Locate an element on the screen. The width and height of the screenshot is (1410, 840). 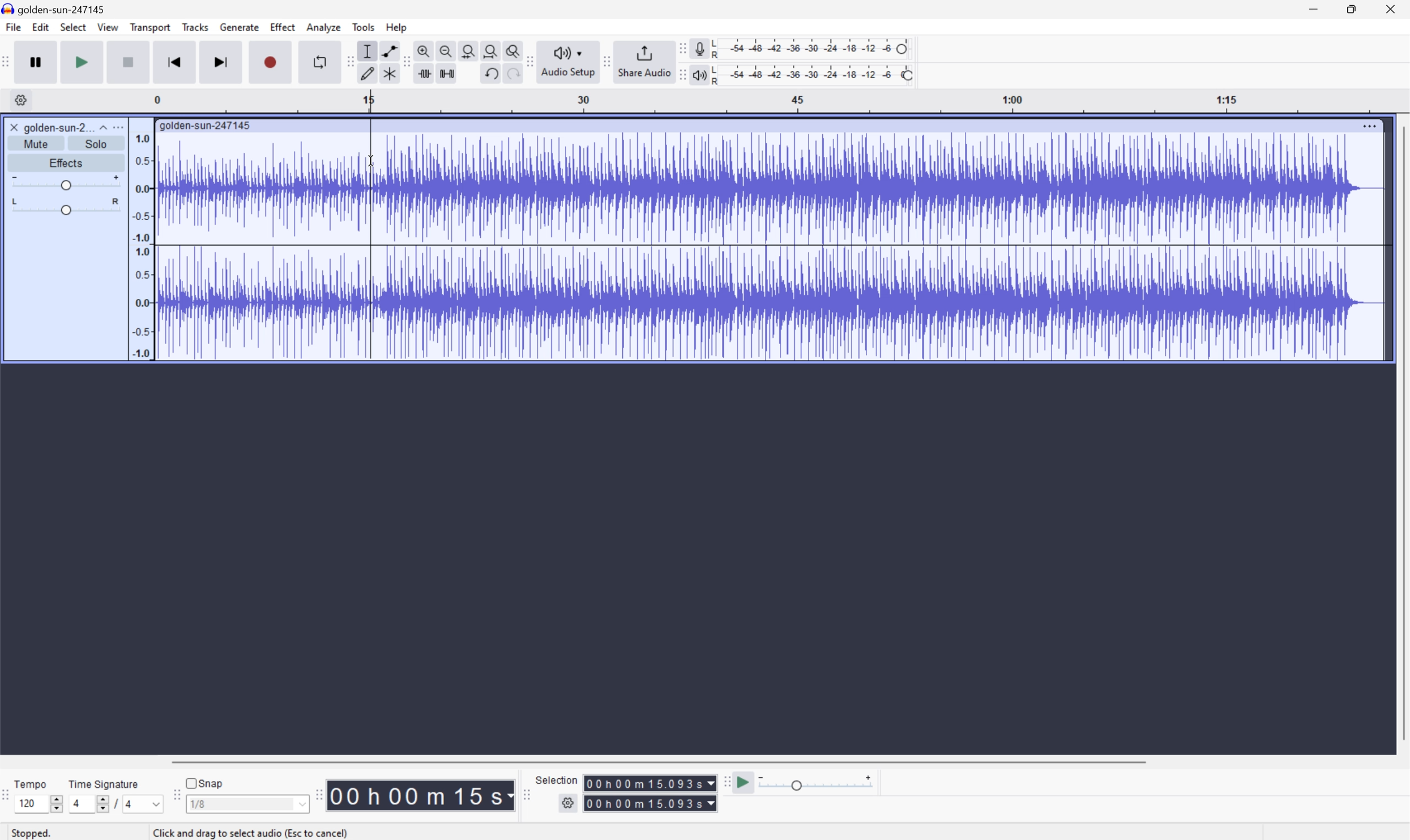
More is located at coordinates (121, 126).